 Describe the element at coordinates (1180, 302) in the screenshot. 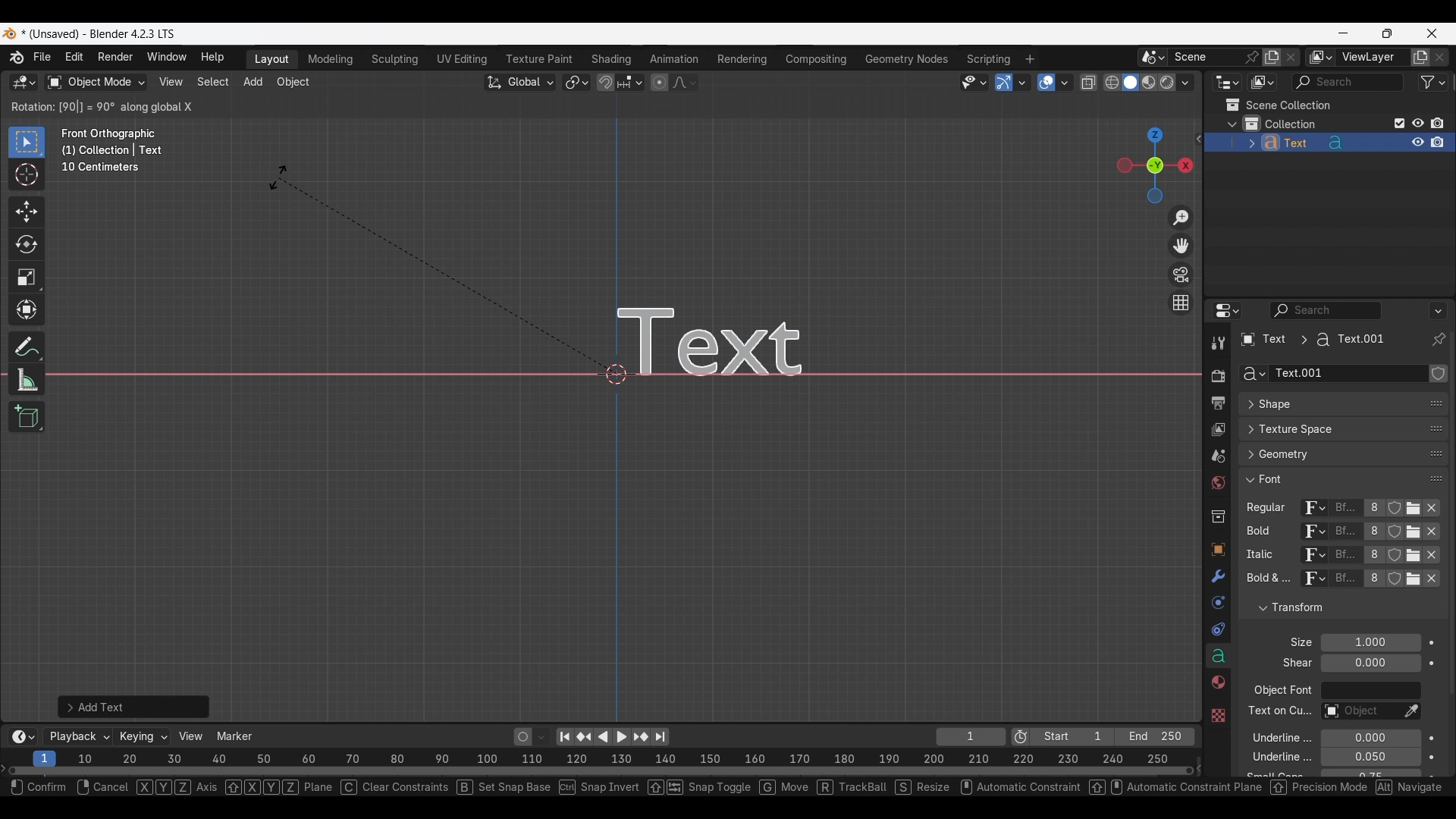

I see `Switch the current view from perspective/orthographic projection` at that location.